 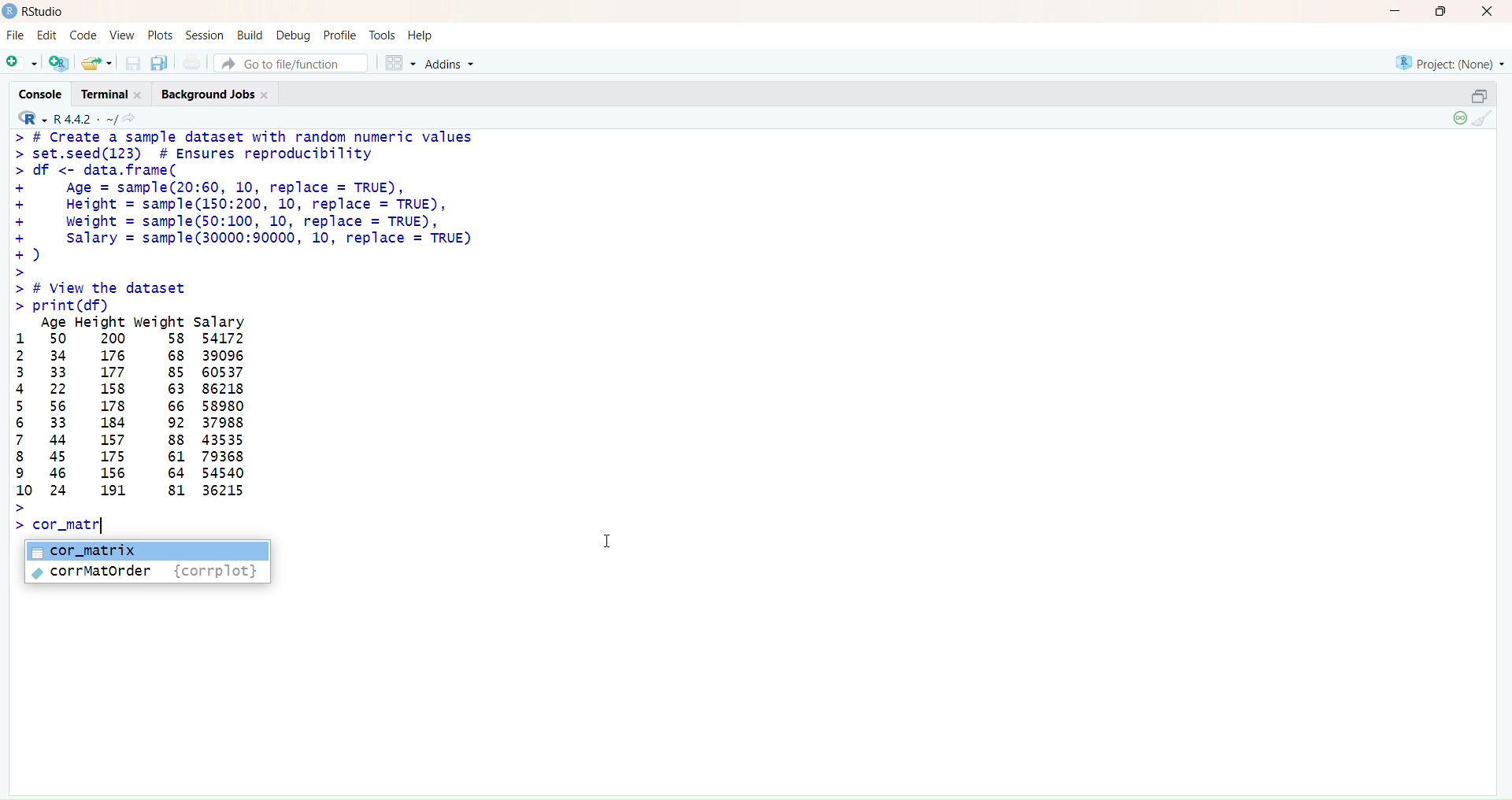 I want to click on > # Create a sample dataset with random numeric values
> set.seed(123) # Ensures reproducibility
> df <- data.frame(
+ Age = sample(20:60, 10, replace = TRUE),
+ Height = sample(150:200, 10, replace = TRUE),
+ Weight = sample(50:100, 10, replace = TRUE),
+ Salary = samp1e(30000:90000, 10, replace = TRUE)
+)
>
> # View the dataset
> print (df)
Age Height weight salary
1 50 200 58 54172
2 34 176 68 39096
3 33 177 85 60537
4 22 158 63 86218
5 56 178 66 58980
6 33 184 92 37988
7 44 157 88 43535
8 45 175 61 79368
9 46 156 64 54540
10 24 191 81 36215
>
>, so click(x=261, y=330).